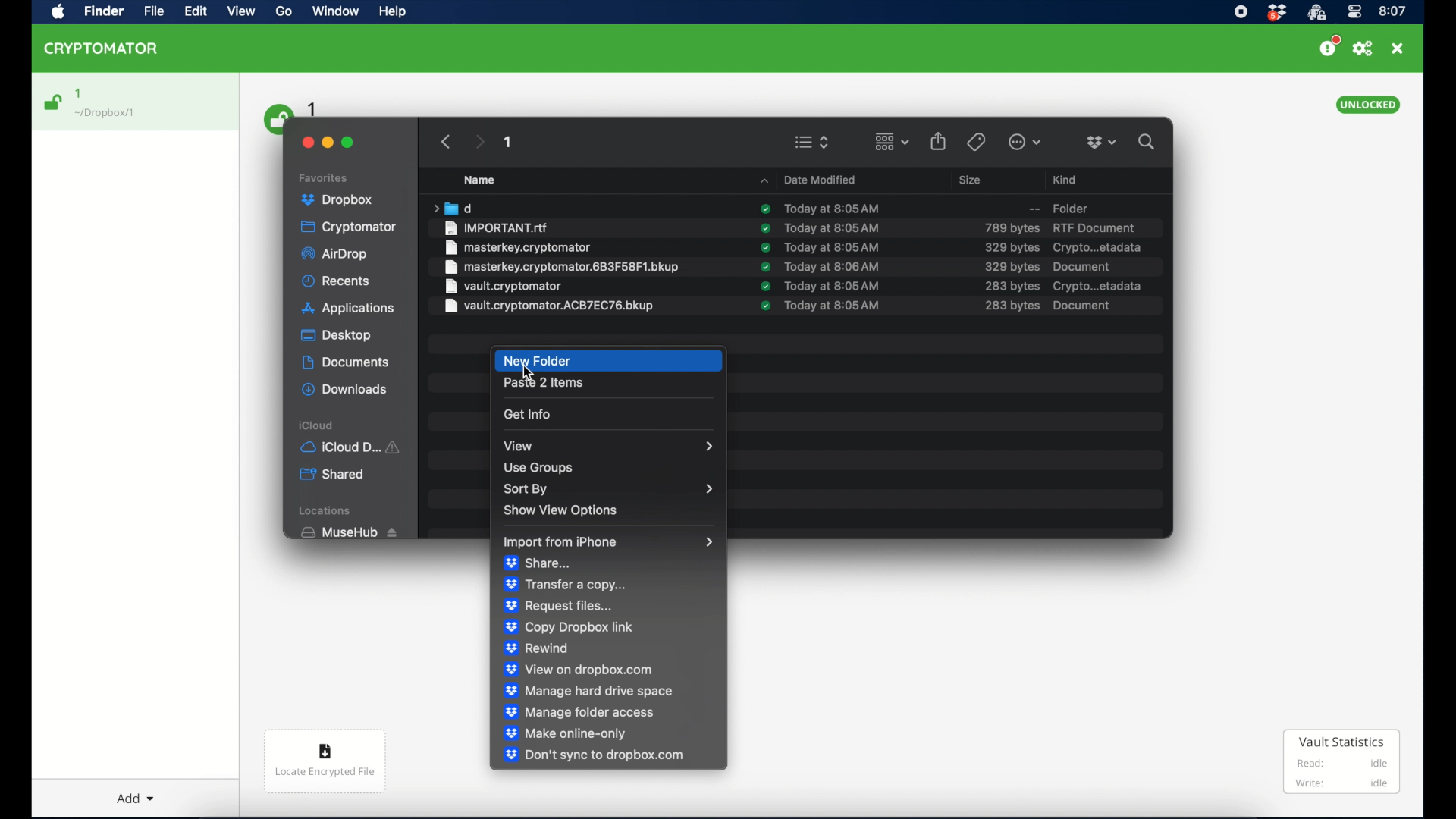  Describe the element at coordinates (348, 532) in the screenshot. I see `musehub` at that location.